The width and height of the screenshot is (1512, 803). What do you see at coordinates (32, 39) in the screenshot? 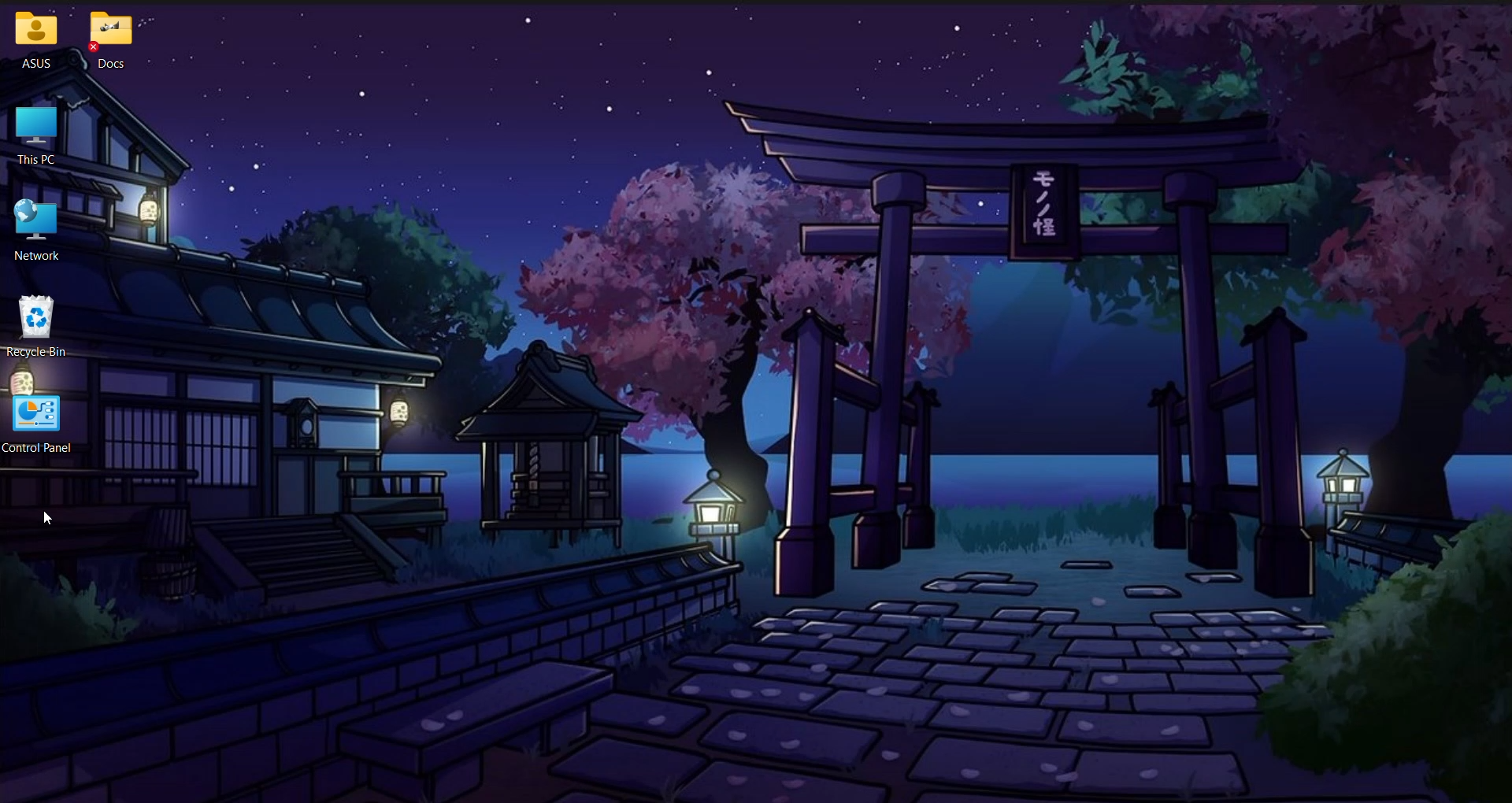
I see `ASUS,` at bounding box center [32, 39].